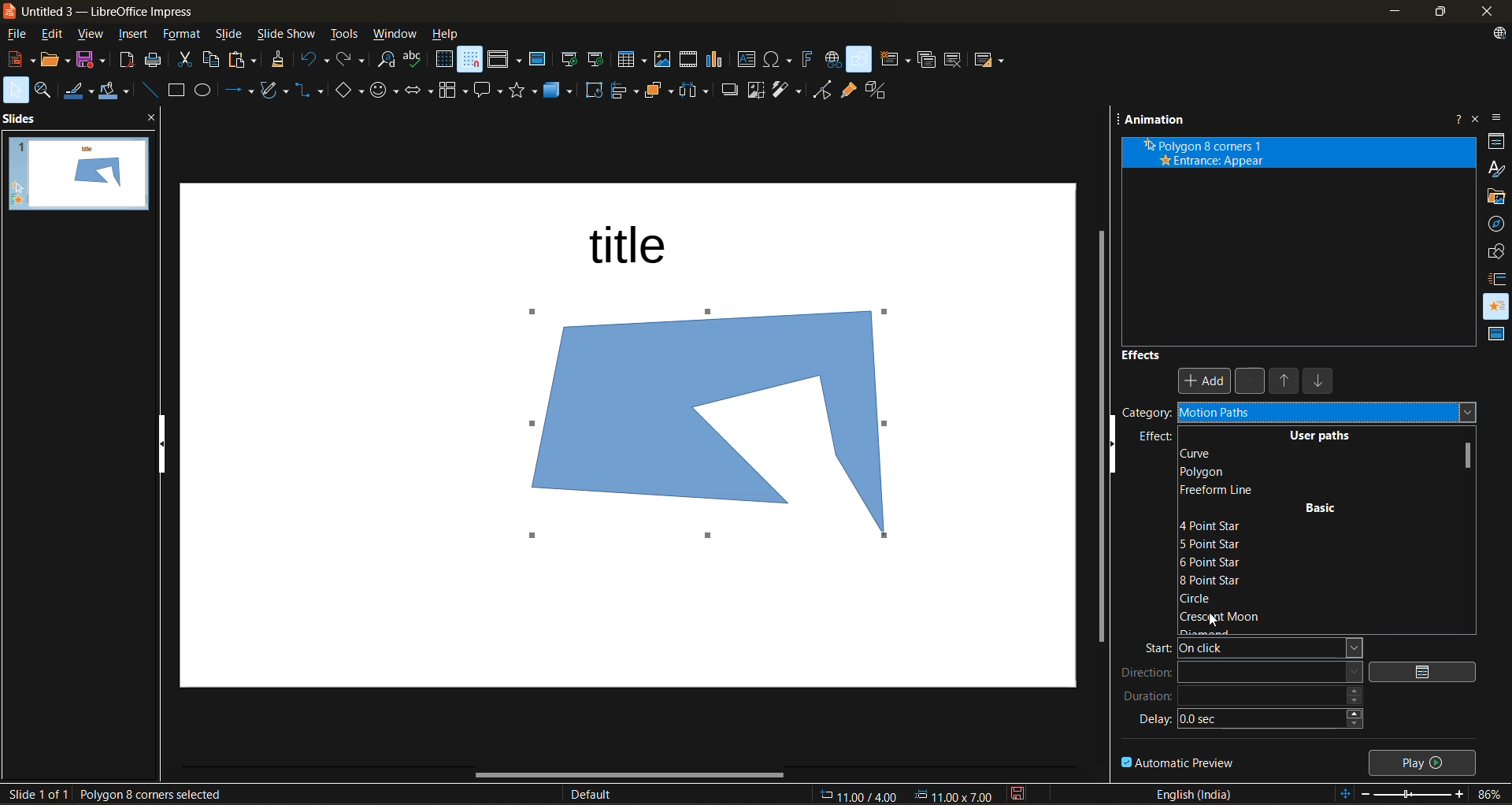  I want to click on minimize, so click(1392, 13).